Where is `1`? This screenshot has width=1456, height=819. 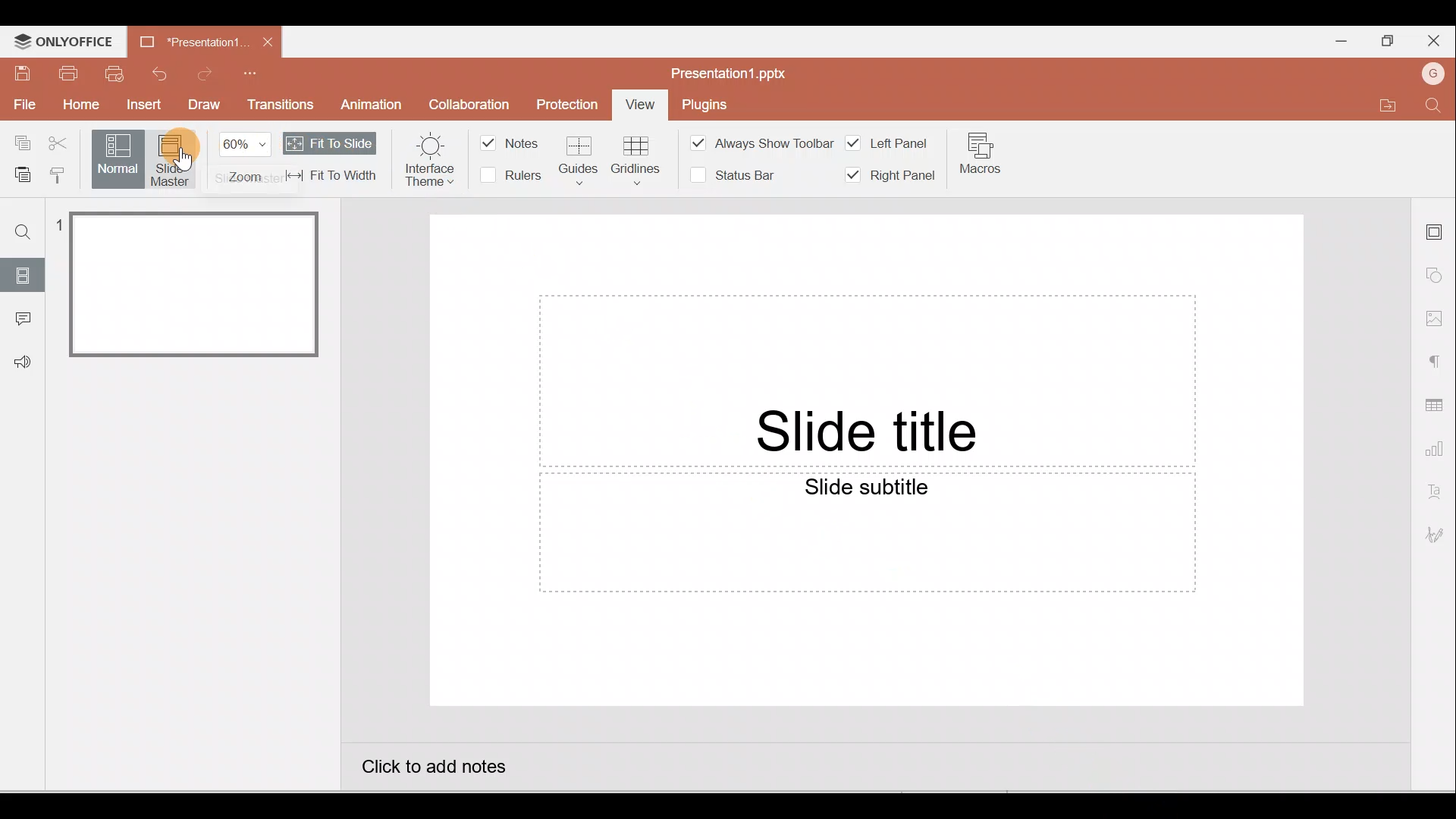
1 is located at coordinates (60, 227).